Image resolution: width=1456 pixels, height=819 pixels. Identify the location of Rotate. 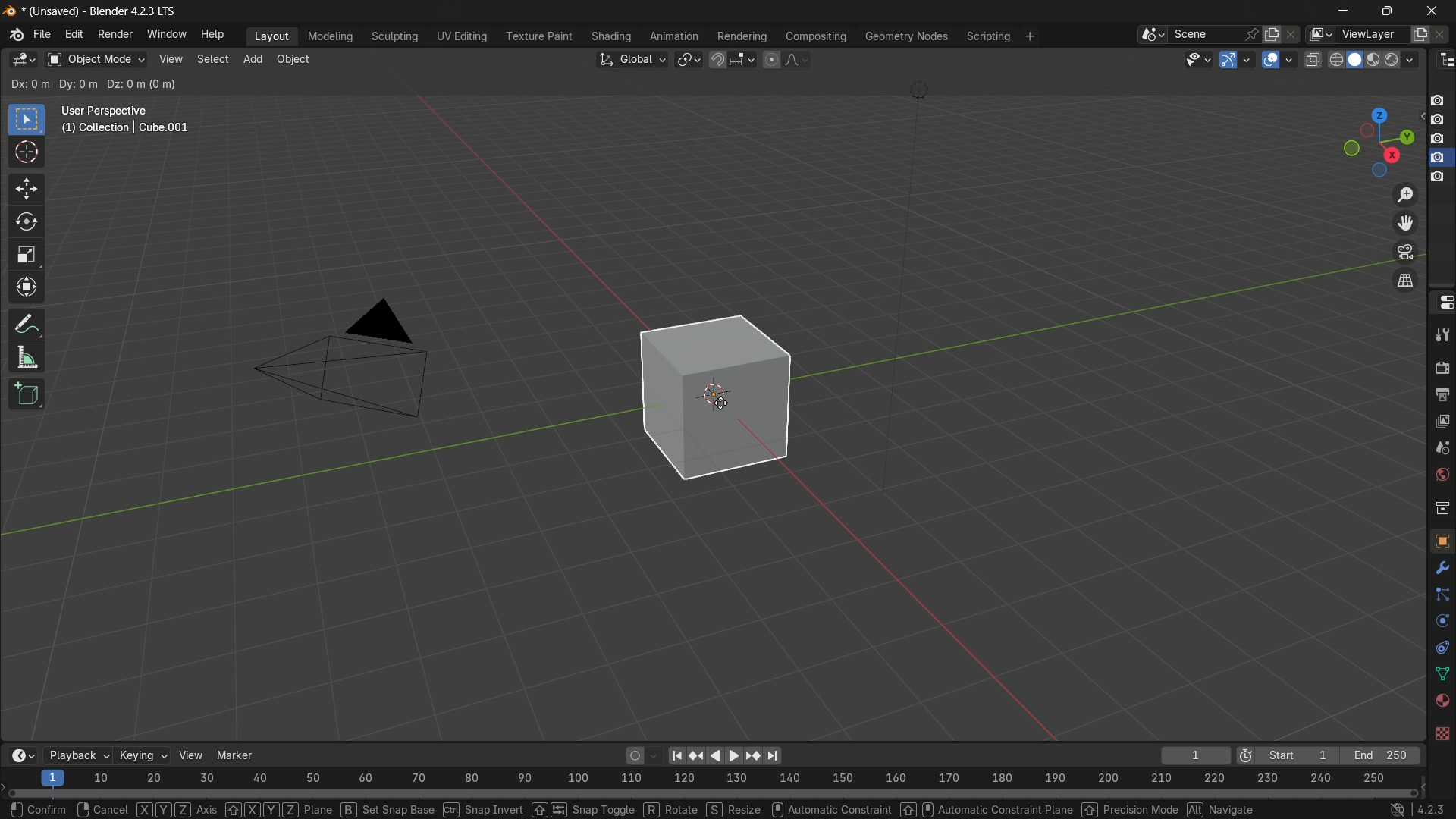
(672, 808).